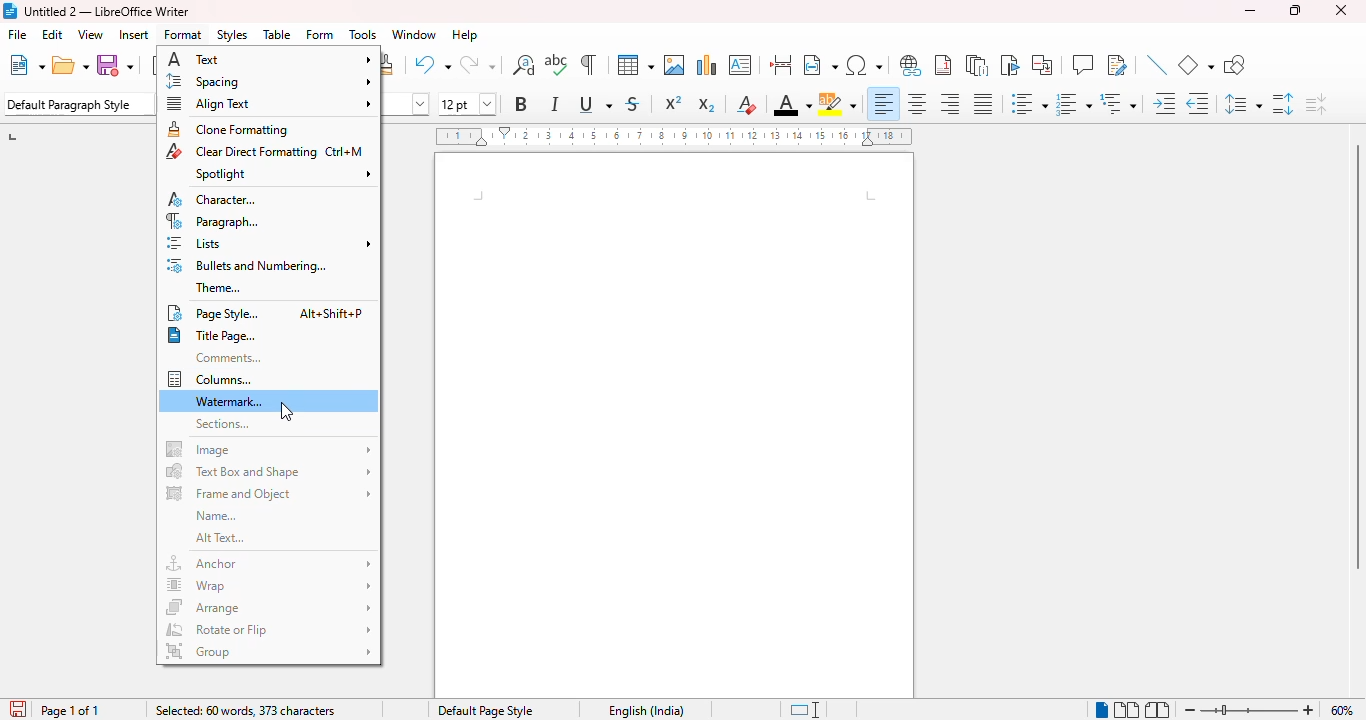 The width and height of the screenshot is (1366, 720). I want to click on insert chart, so click(707, 64).